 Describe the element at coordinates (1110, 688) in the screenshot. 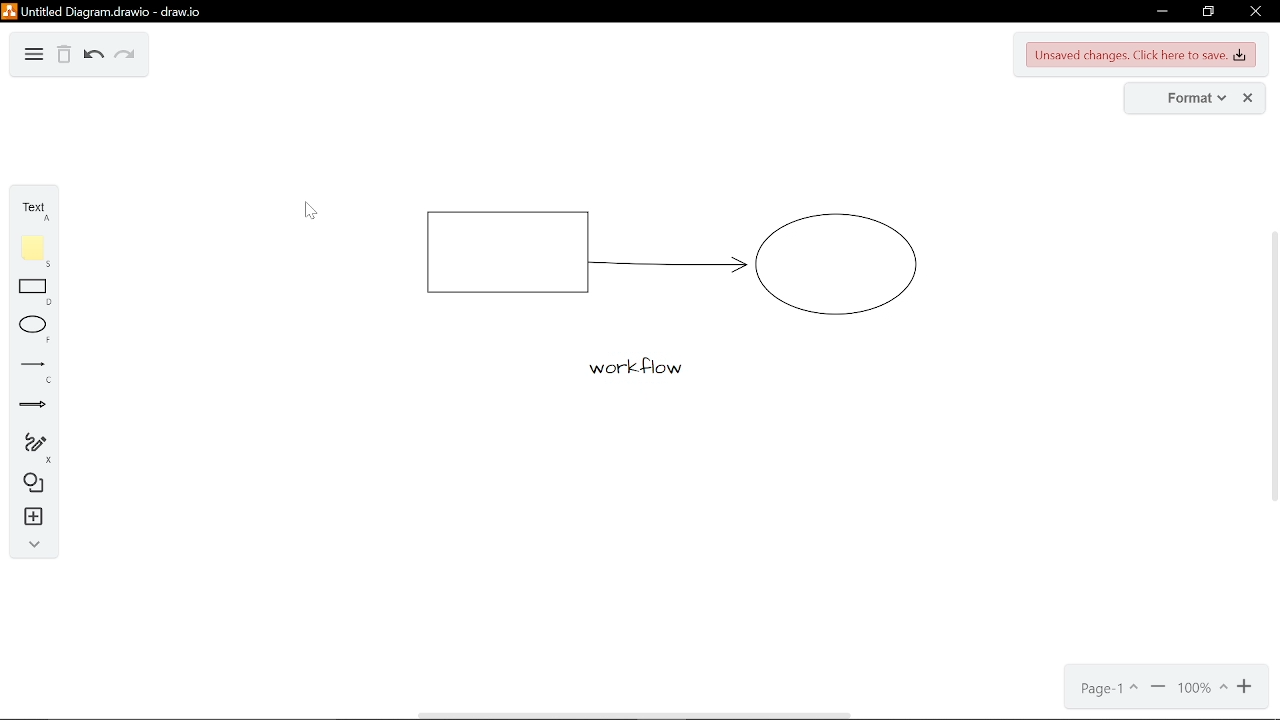

I see `page1` at that location.